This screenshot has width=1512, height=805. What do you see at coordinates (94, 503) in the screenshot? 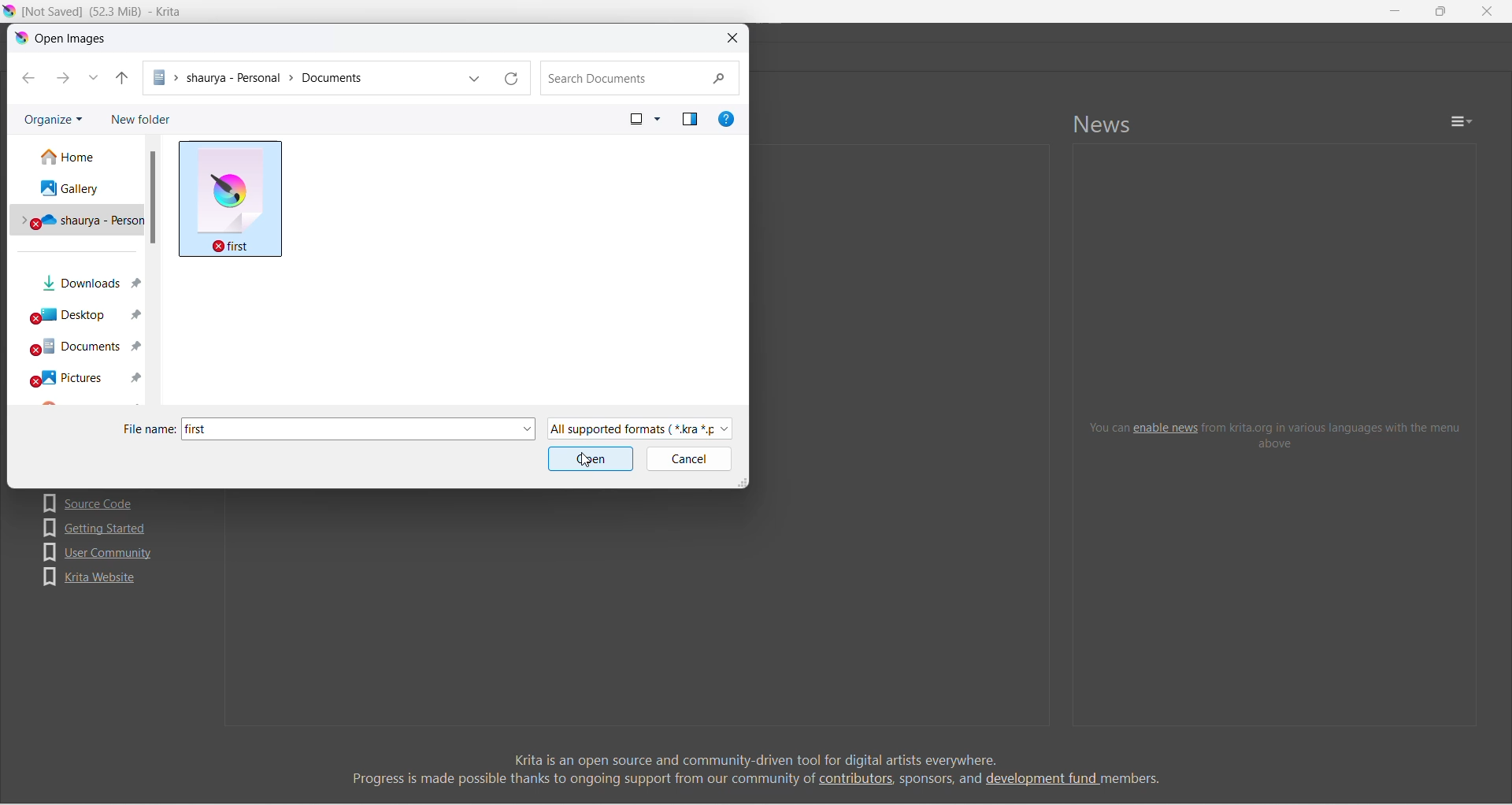
I see `SOURCE CODE` at bounding box center [94, 503].